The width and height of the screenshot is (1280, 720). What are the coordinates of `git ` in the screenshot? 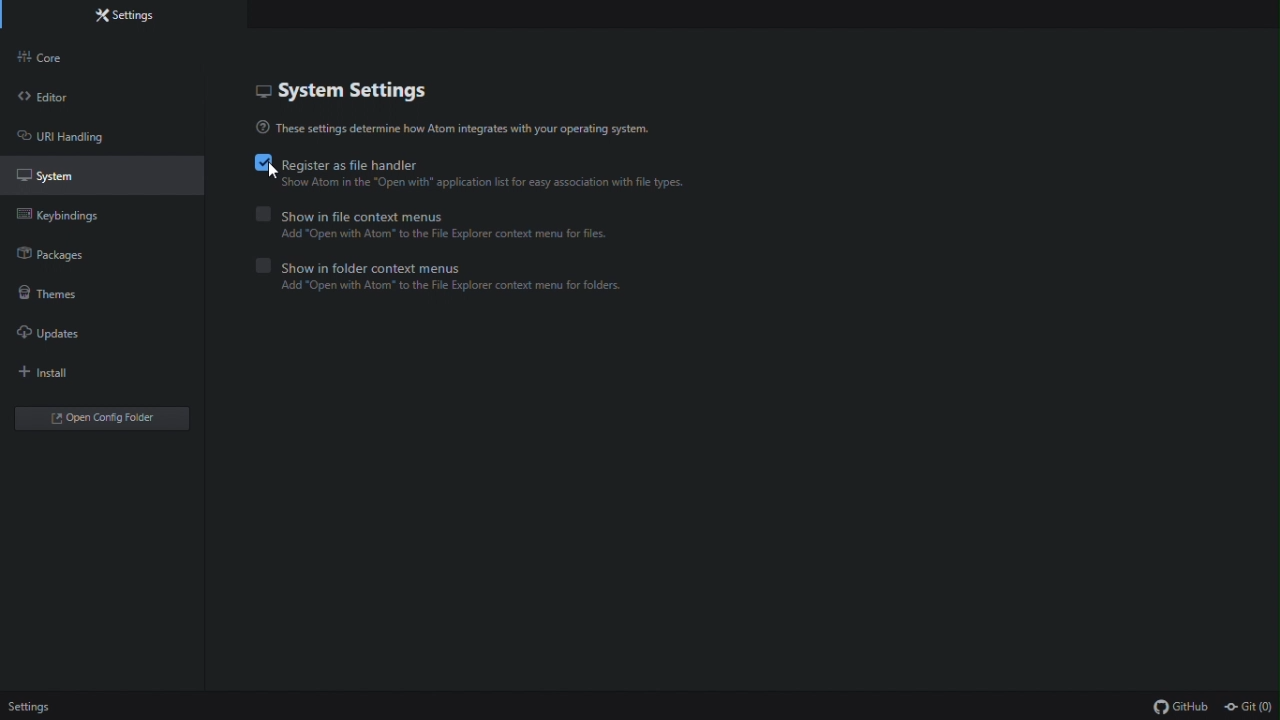 It's located at (1250, 707).